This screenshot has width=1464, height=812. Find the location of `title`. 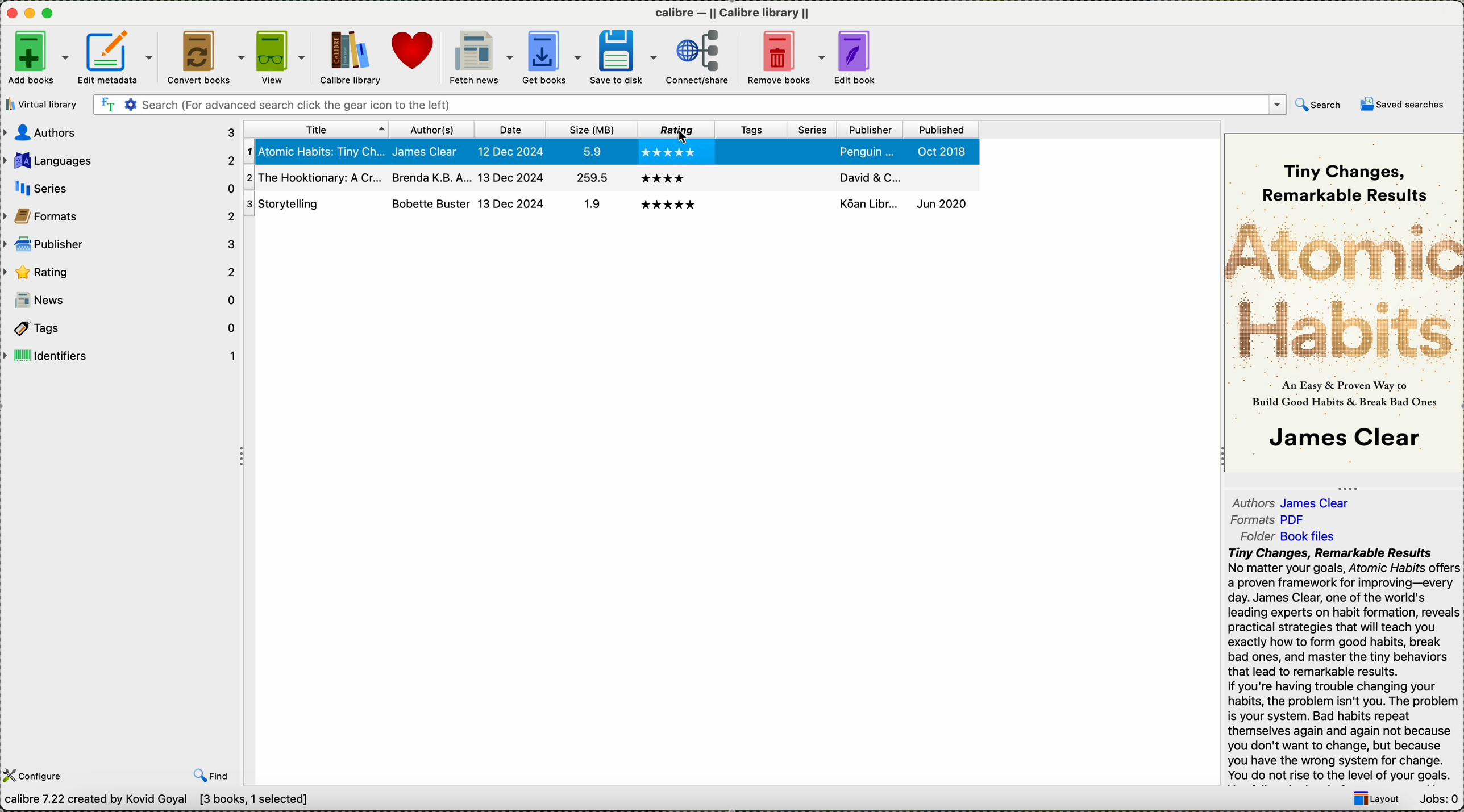

title is located at coordinates (315, 128).